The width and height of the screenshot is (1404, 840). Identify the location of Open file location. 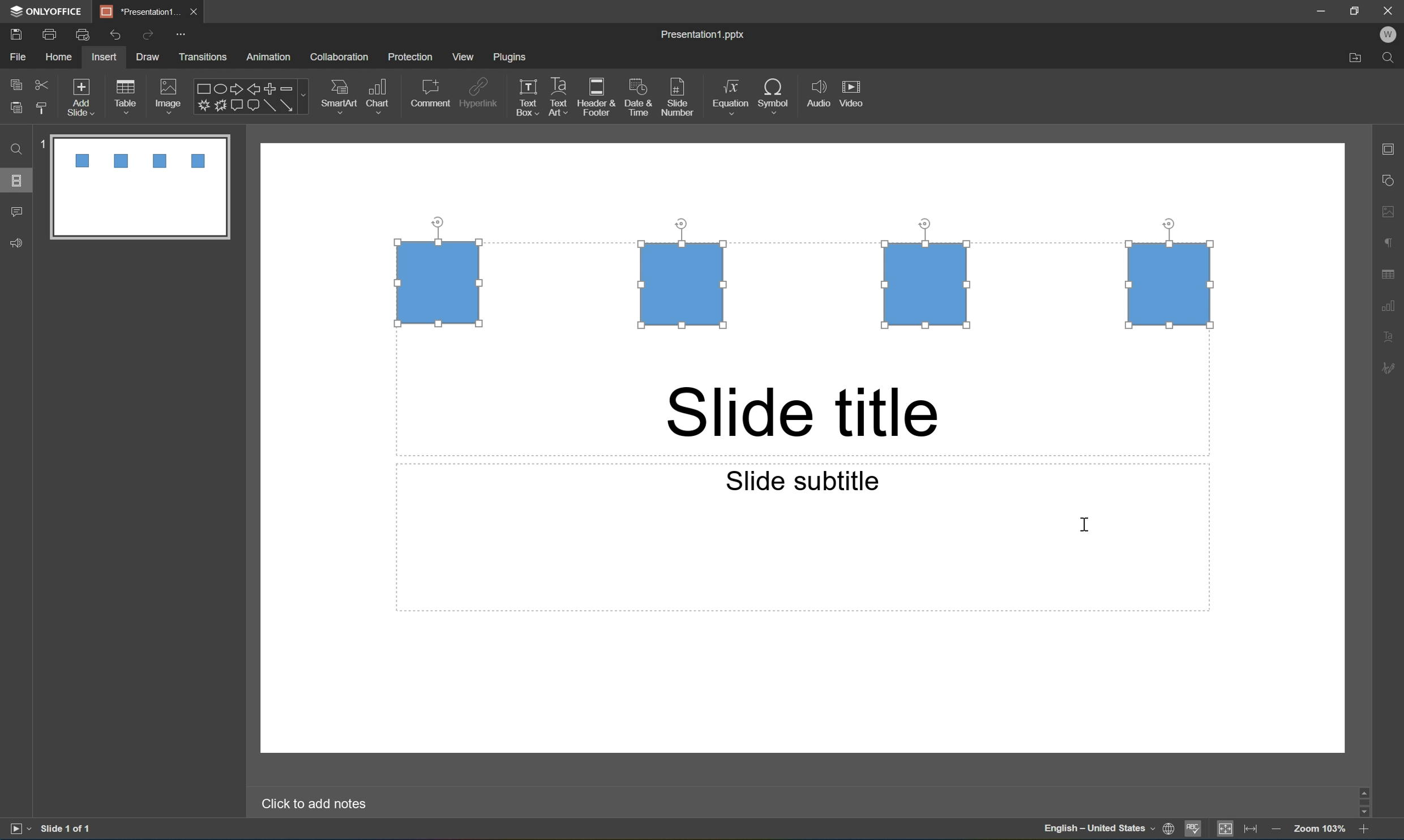
(1353, 59).